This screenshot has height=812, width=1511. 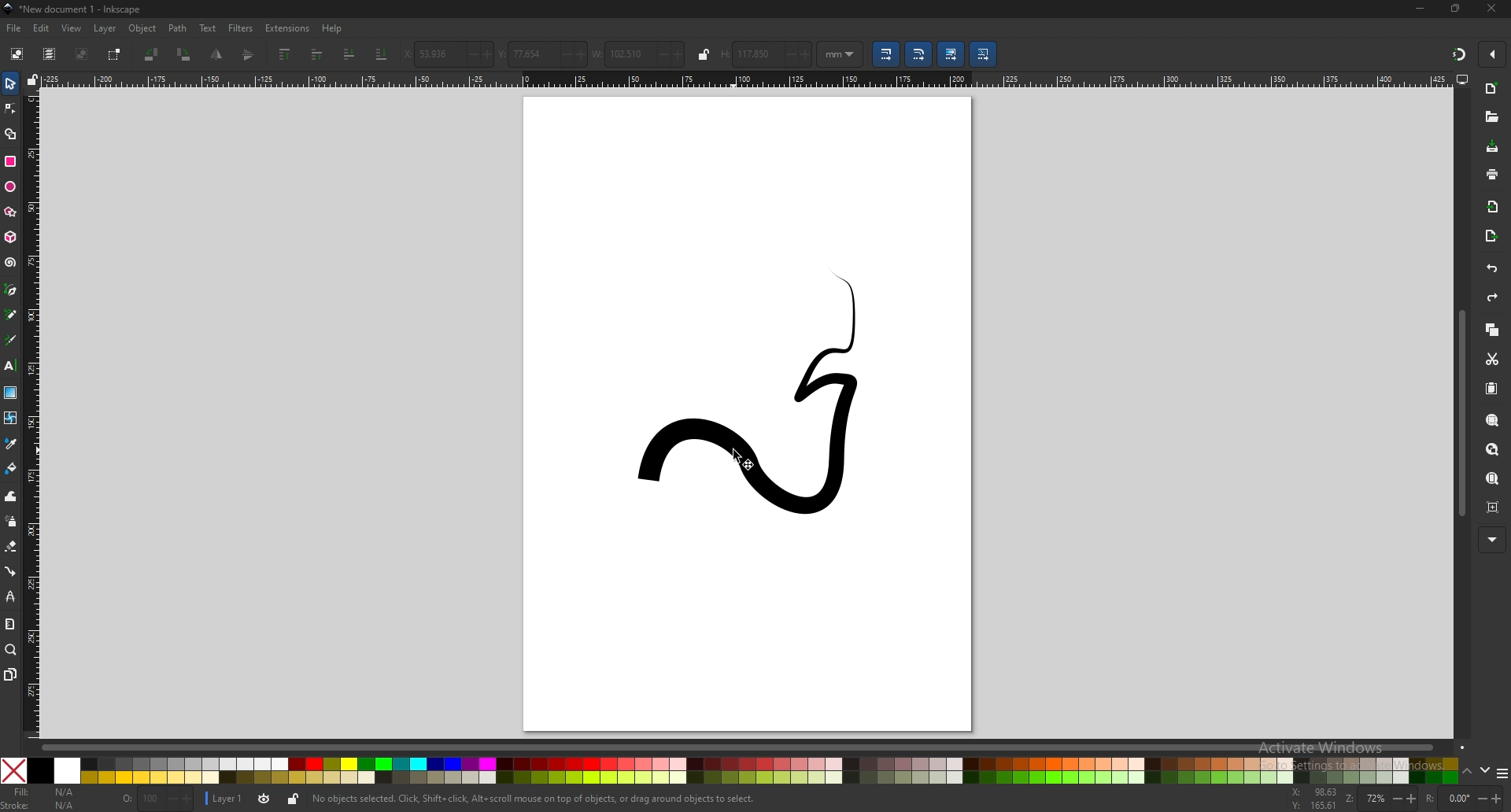 What do you see at coordinates (1493, 507) in the screenshot?
I see `zoom centre page` at bounding box center [1493, 507].